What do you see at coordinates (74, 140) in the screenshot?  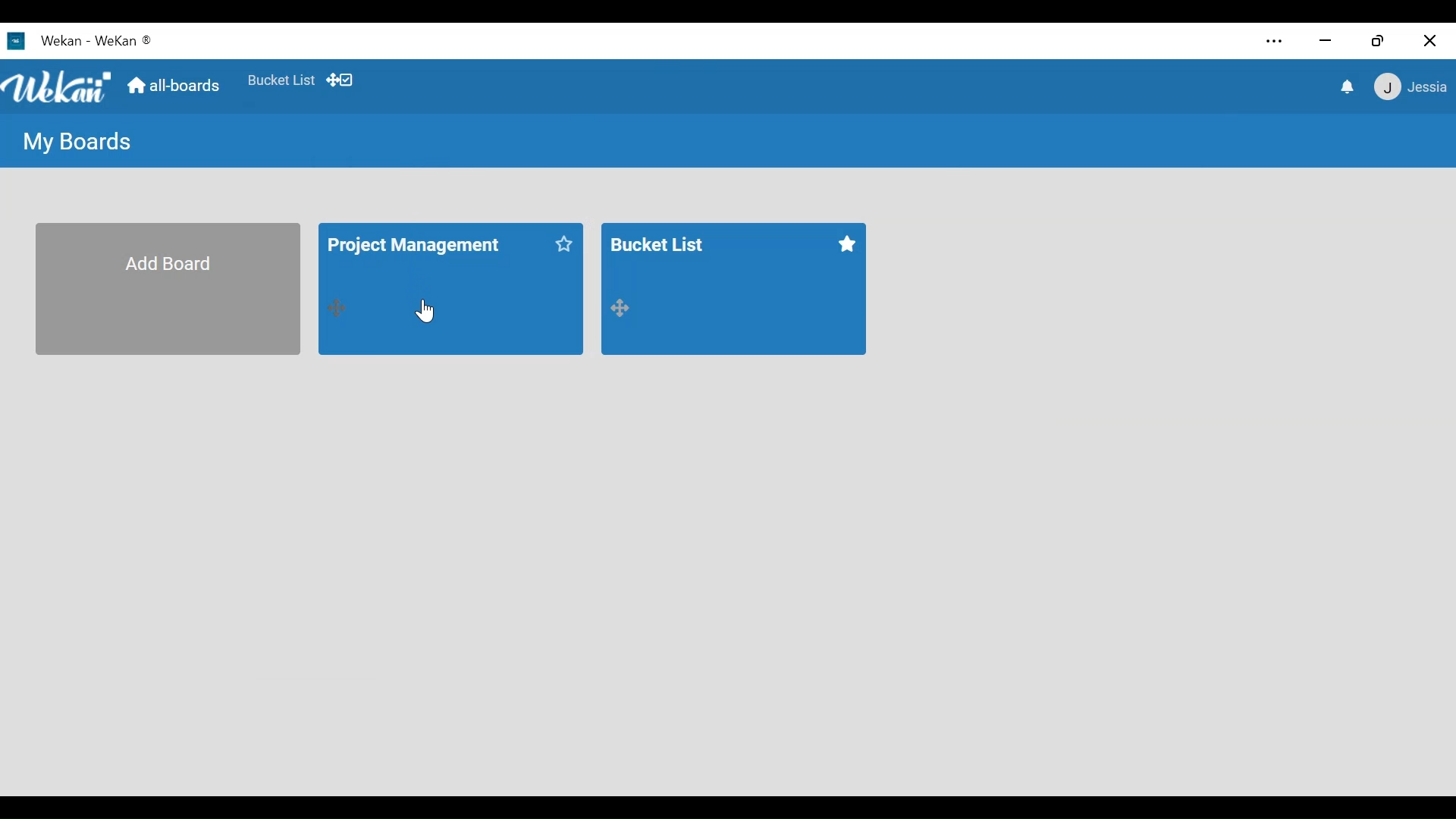 I see `My Boards` at bounding box center [74, 140].